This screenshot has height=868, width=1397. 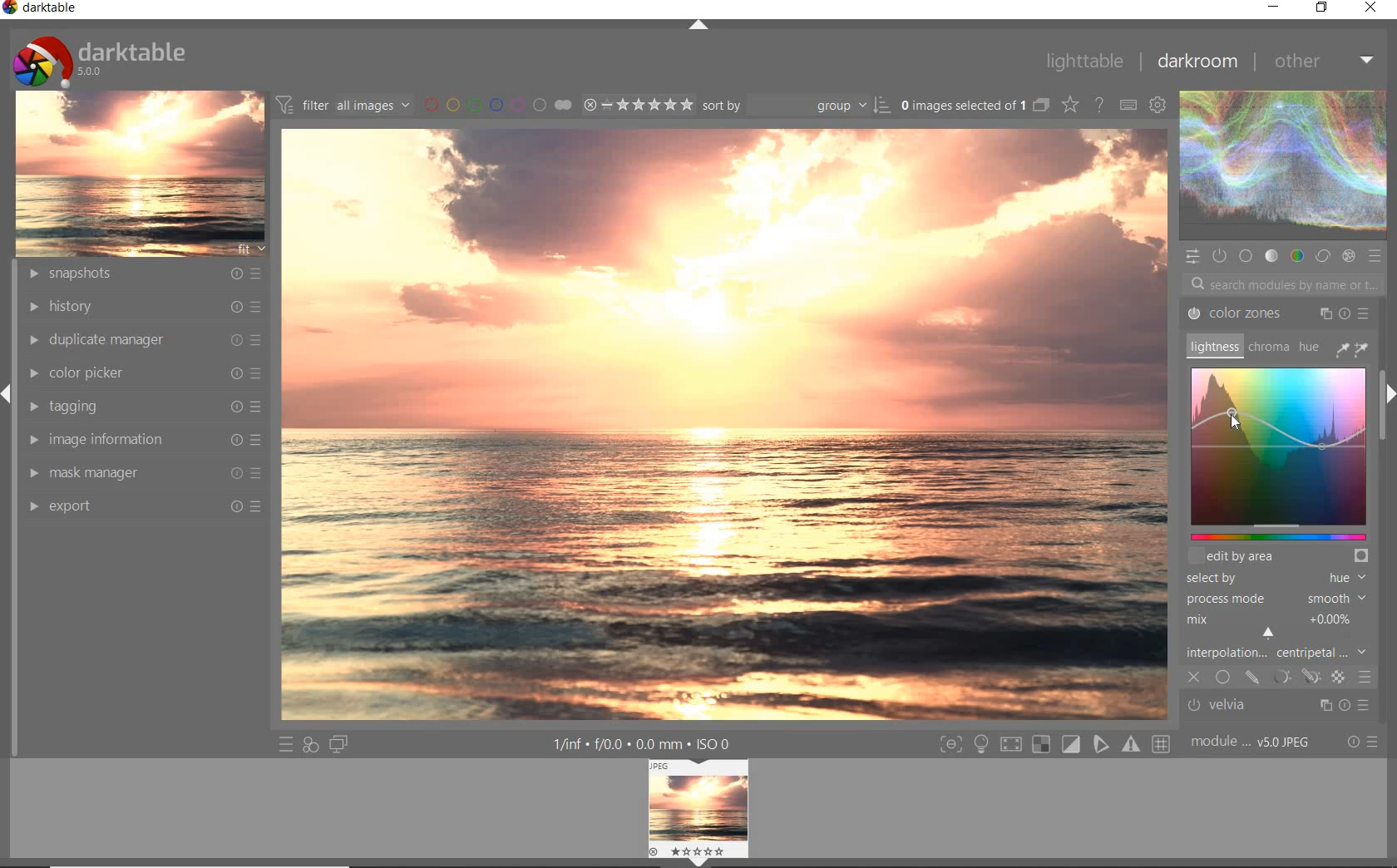 What do you see at coordinates (143, 274) in the screenshot?
I see `SNAPSHOTS` at bounding box center [143, 274].